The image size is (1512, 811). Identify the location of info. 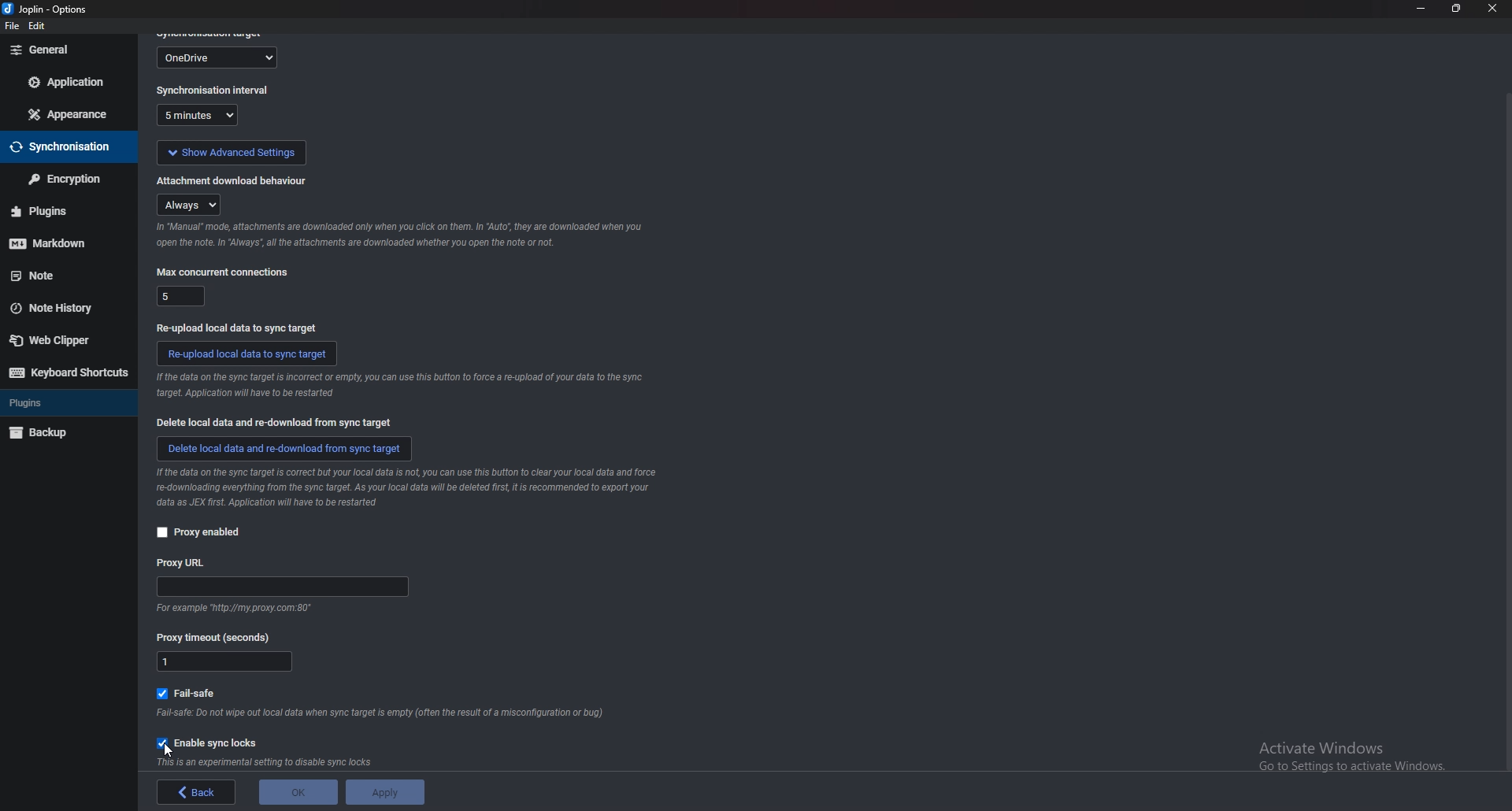
(270, 761).